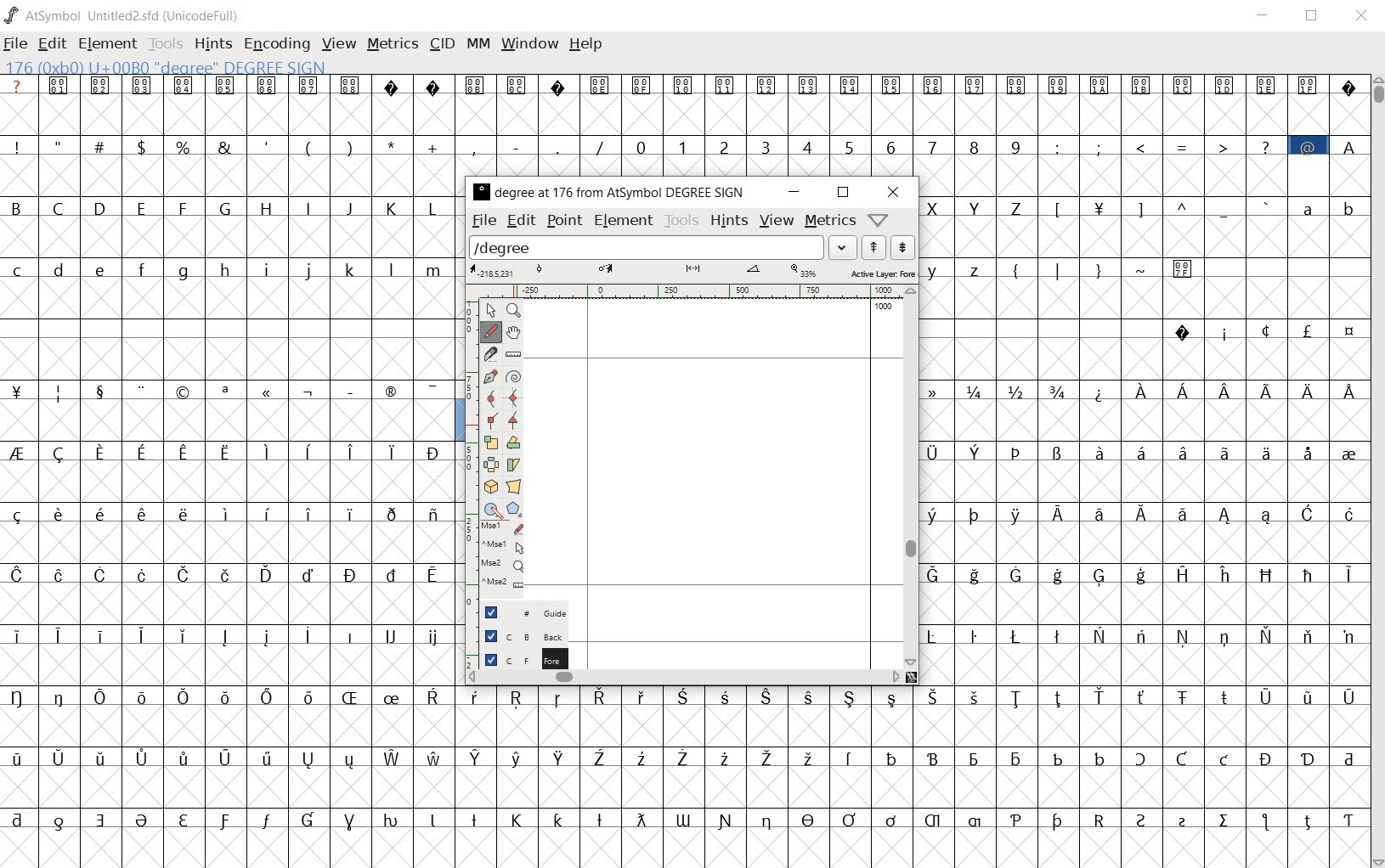  I want to click on scrollbar, so click(909, 477).